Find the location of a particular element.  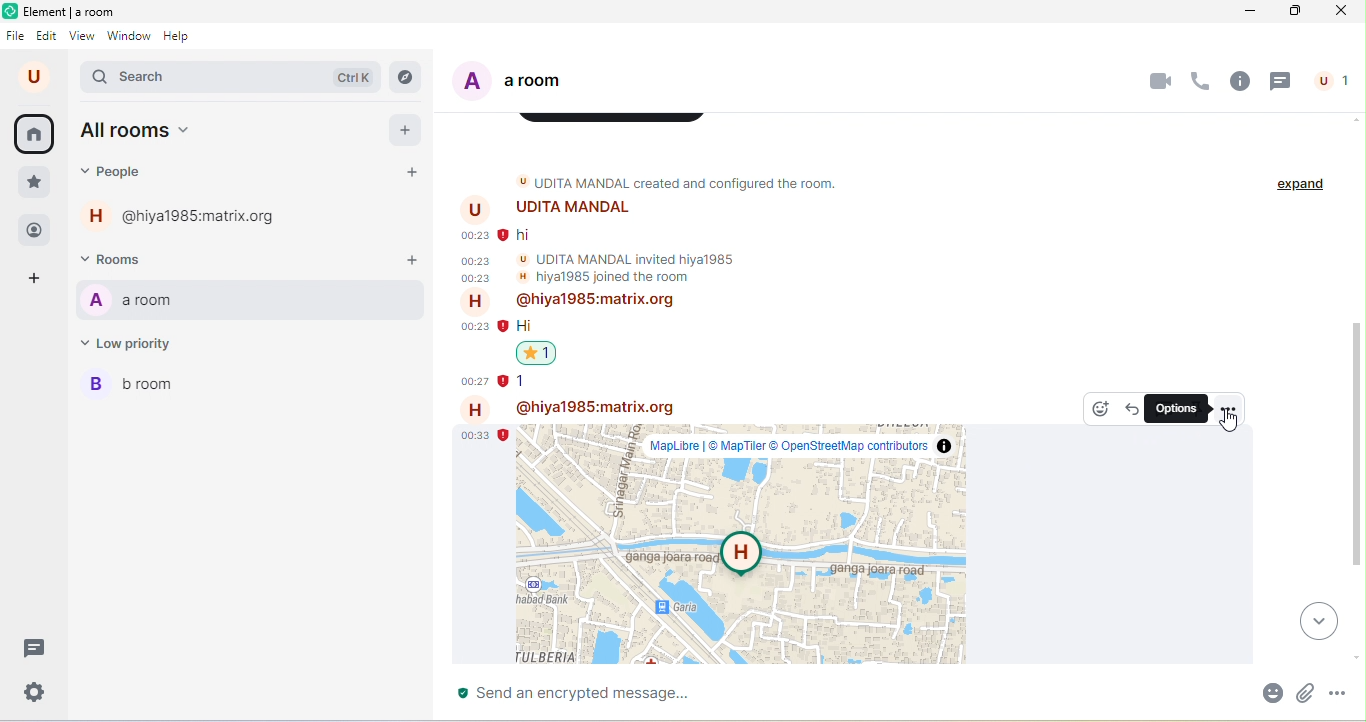

video call is located at coordinates (1158, 81).